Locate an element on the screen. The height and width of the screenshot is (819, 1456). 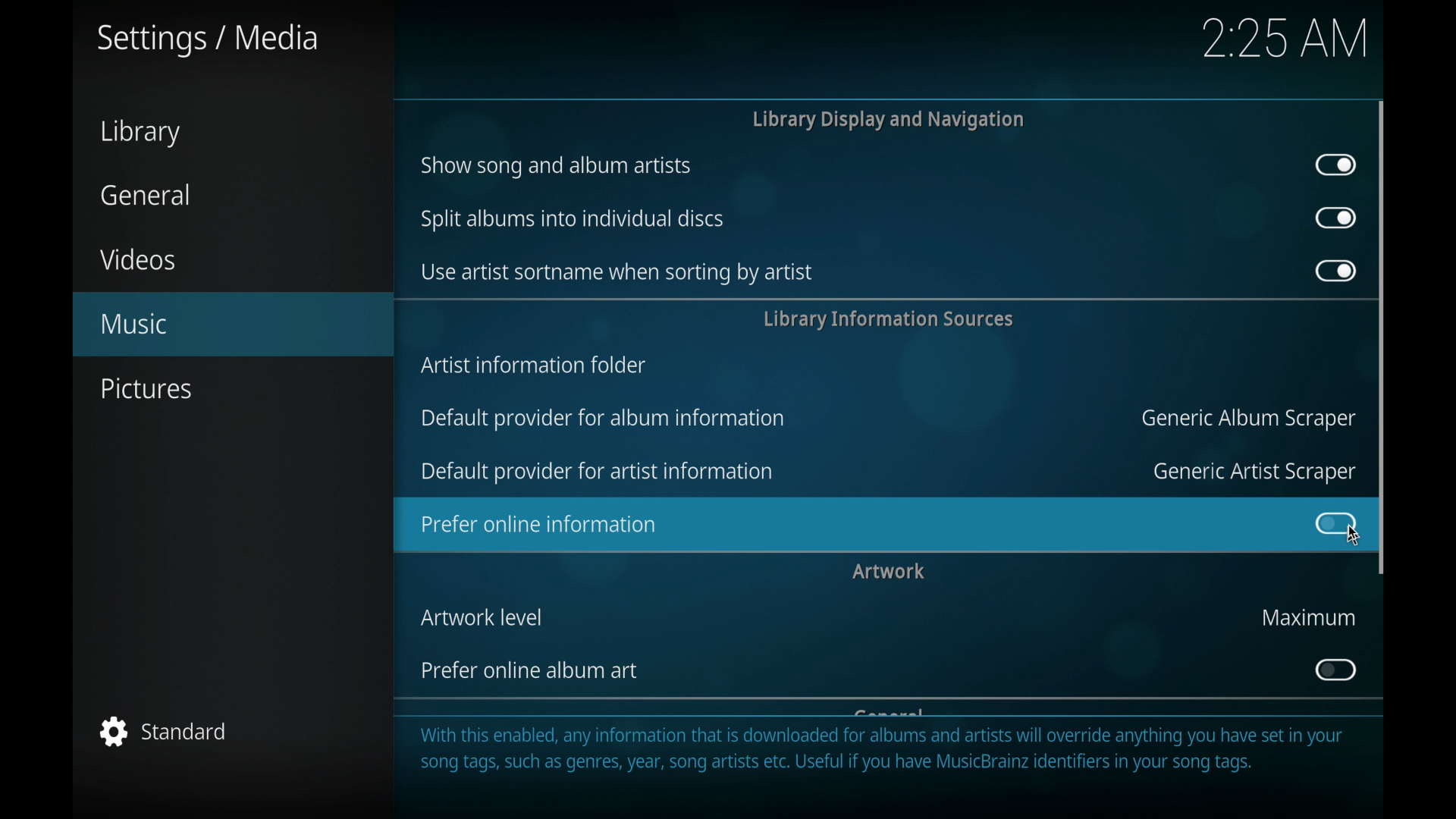
standard is located at coordinates (167, 731).